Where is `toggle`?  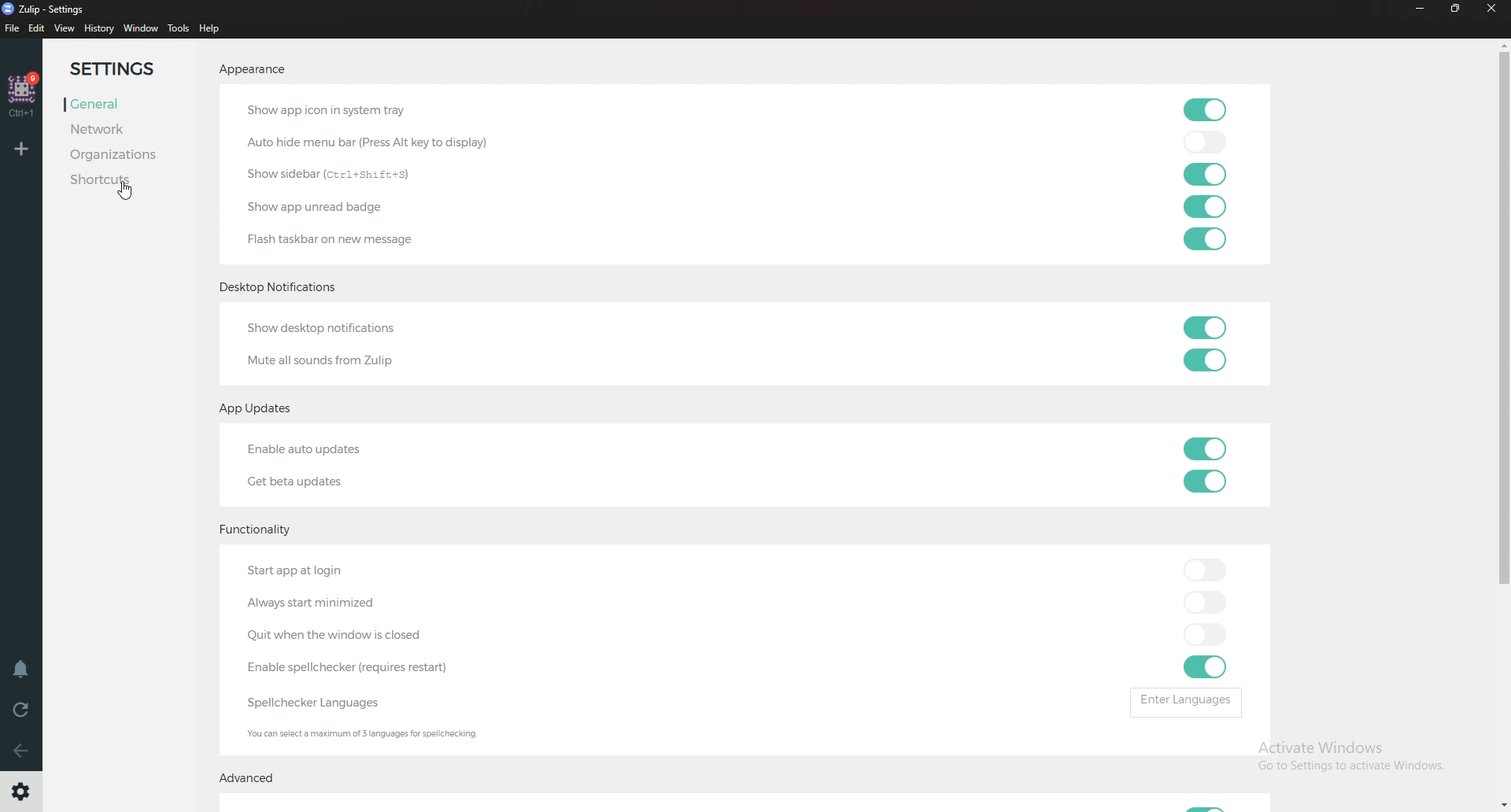
toggle is located at coordinates (1205, 569).